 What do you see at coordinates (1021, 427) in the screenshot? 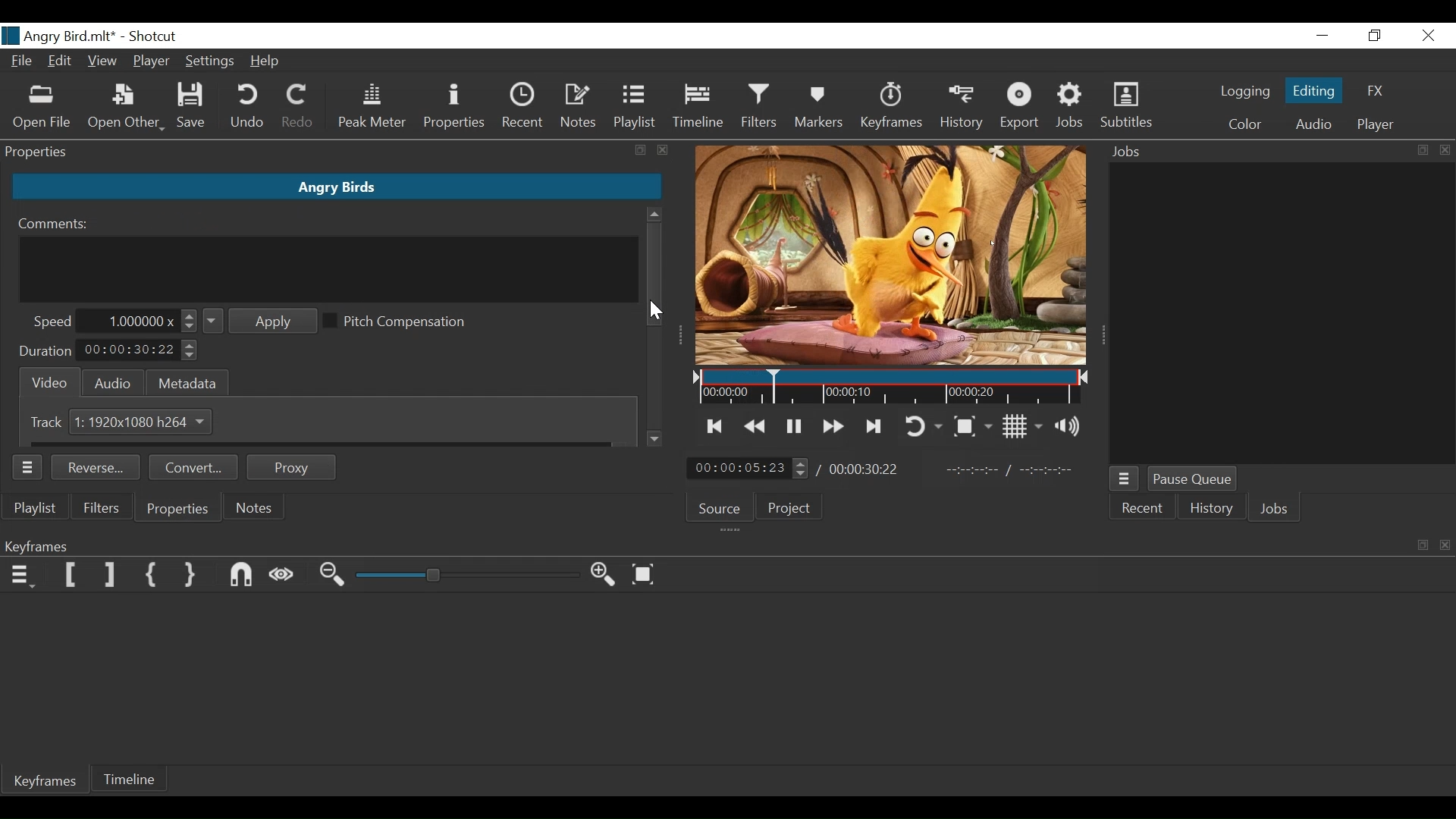
I see `Toggle display grid on player` at bounding box center [1021, 427].